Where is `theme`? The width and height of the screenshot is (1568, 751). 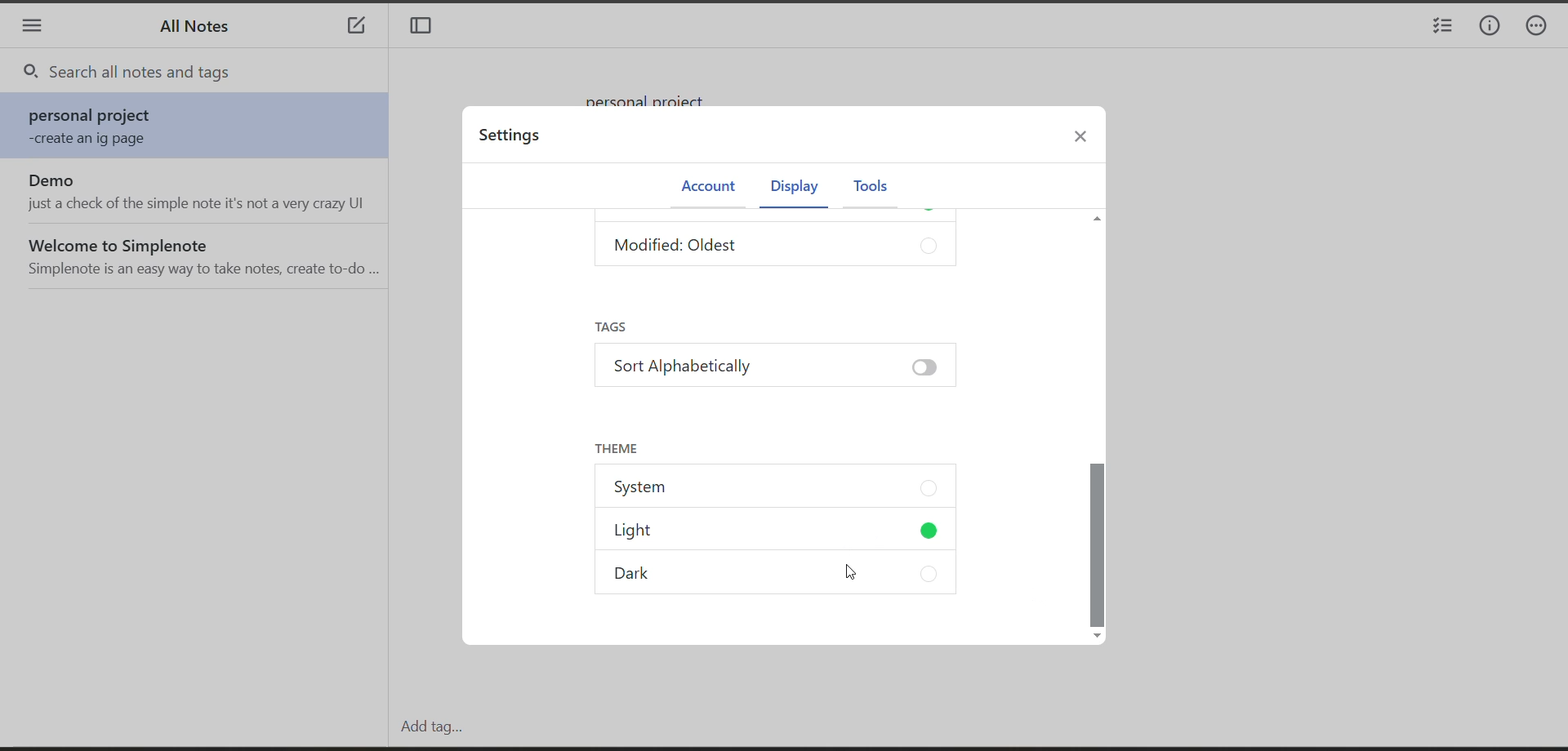
theme is located at coordinates (616, 447).